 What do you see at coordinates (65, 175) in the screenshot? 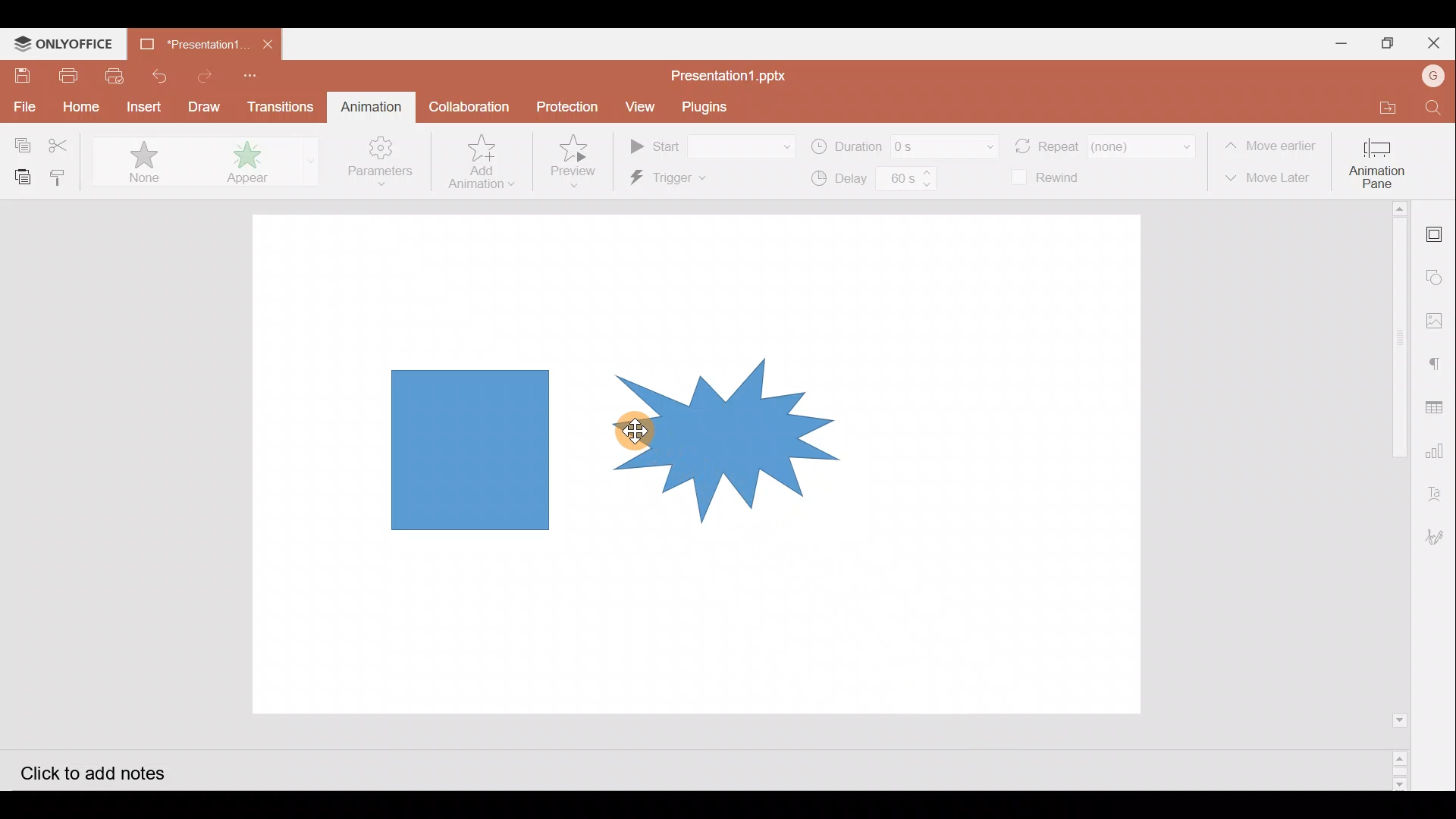
I see `Copy style` at bounding box center [65, 175].